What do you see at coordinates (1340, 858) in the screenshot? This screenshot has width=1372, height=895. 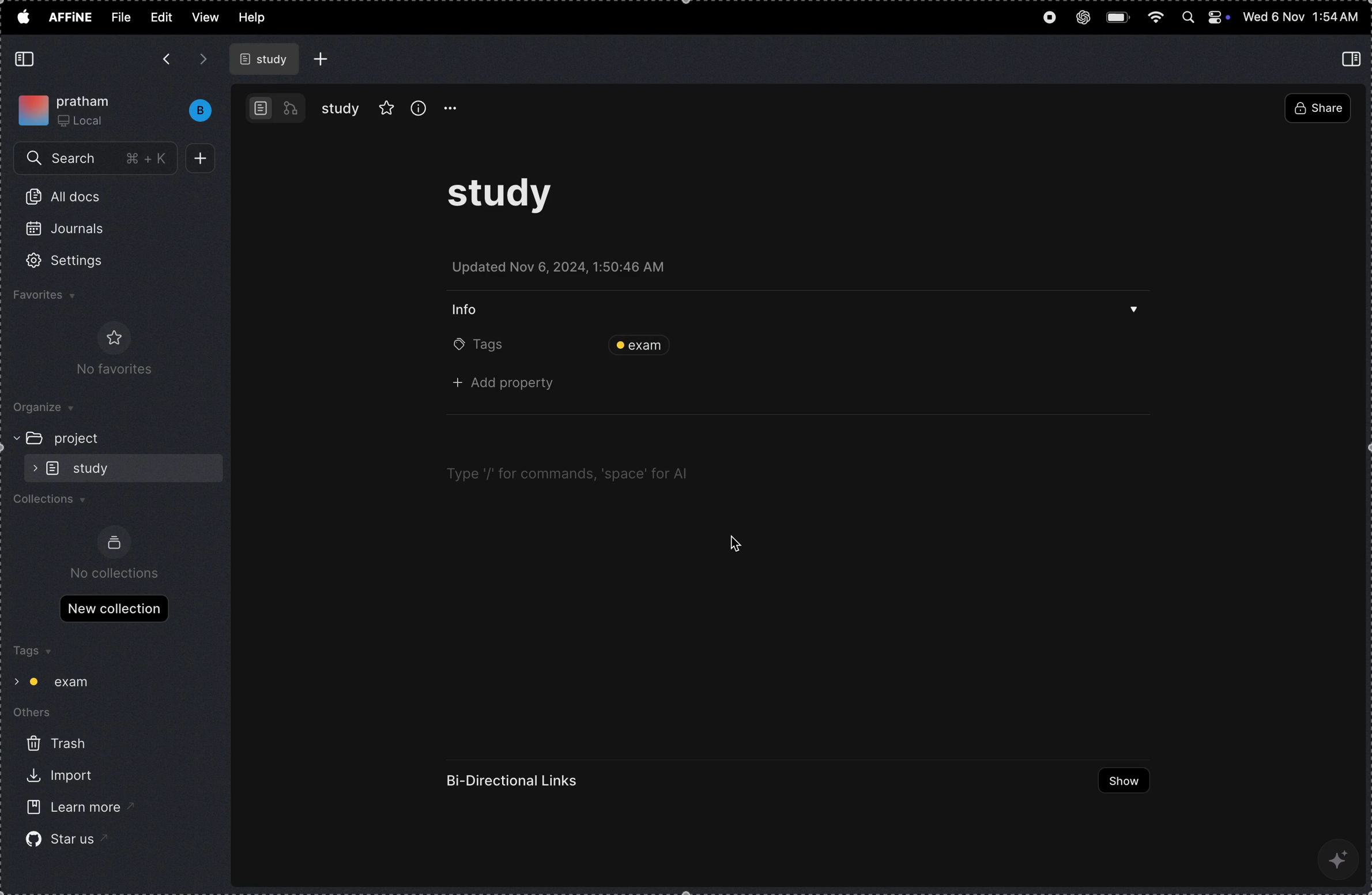 I see `ai` at bounding box center [1340, 858].